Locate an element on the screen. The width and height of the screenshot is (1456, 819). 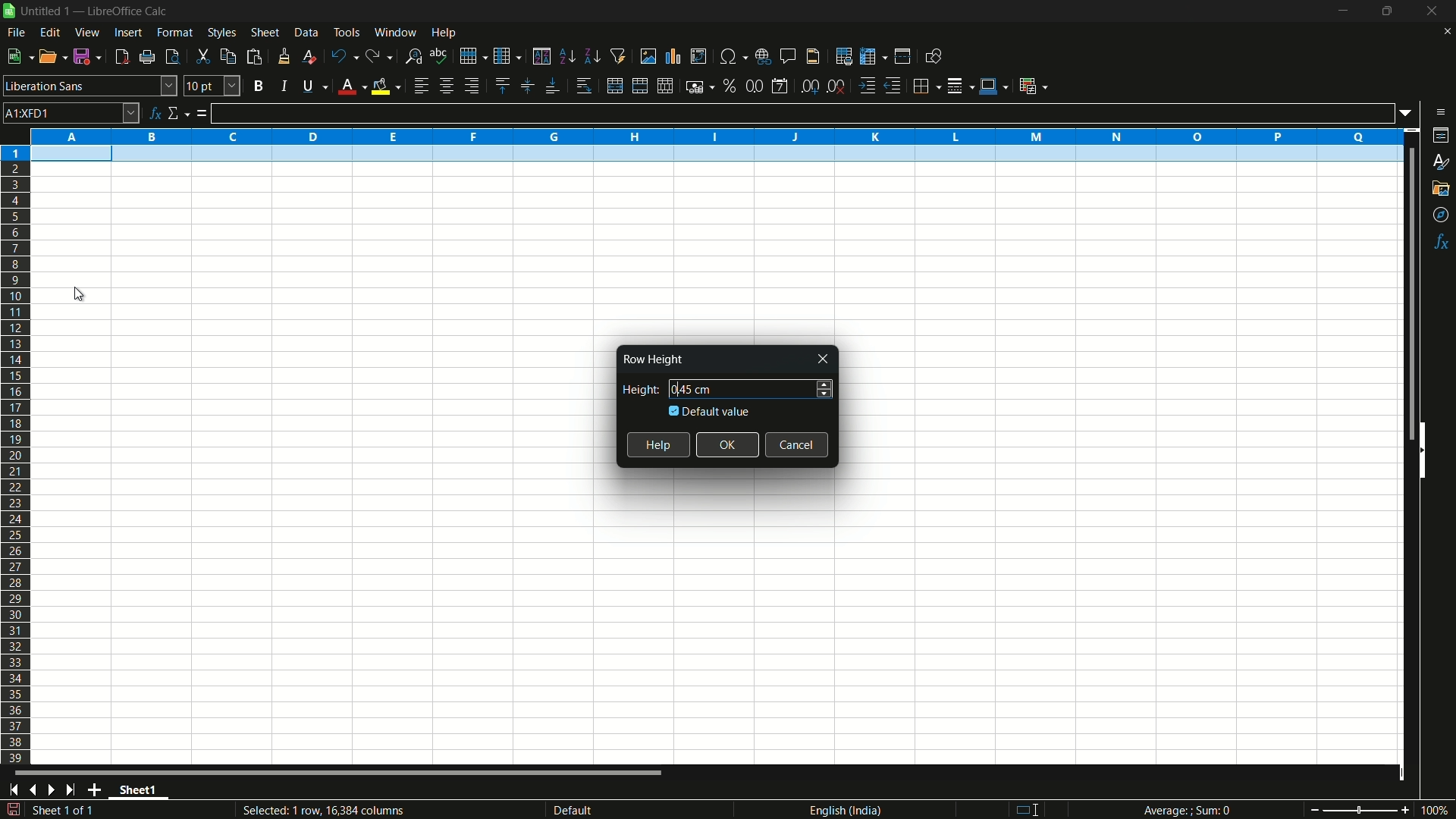
new file is located at coordinates (18, 56).